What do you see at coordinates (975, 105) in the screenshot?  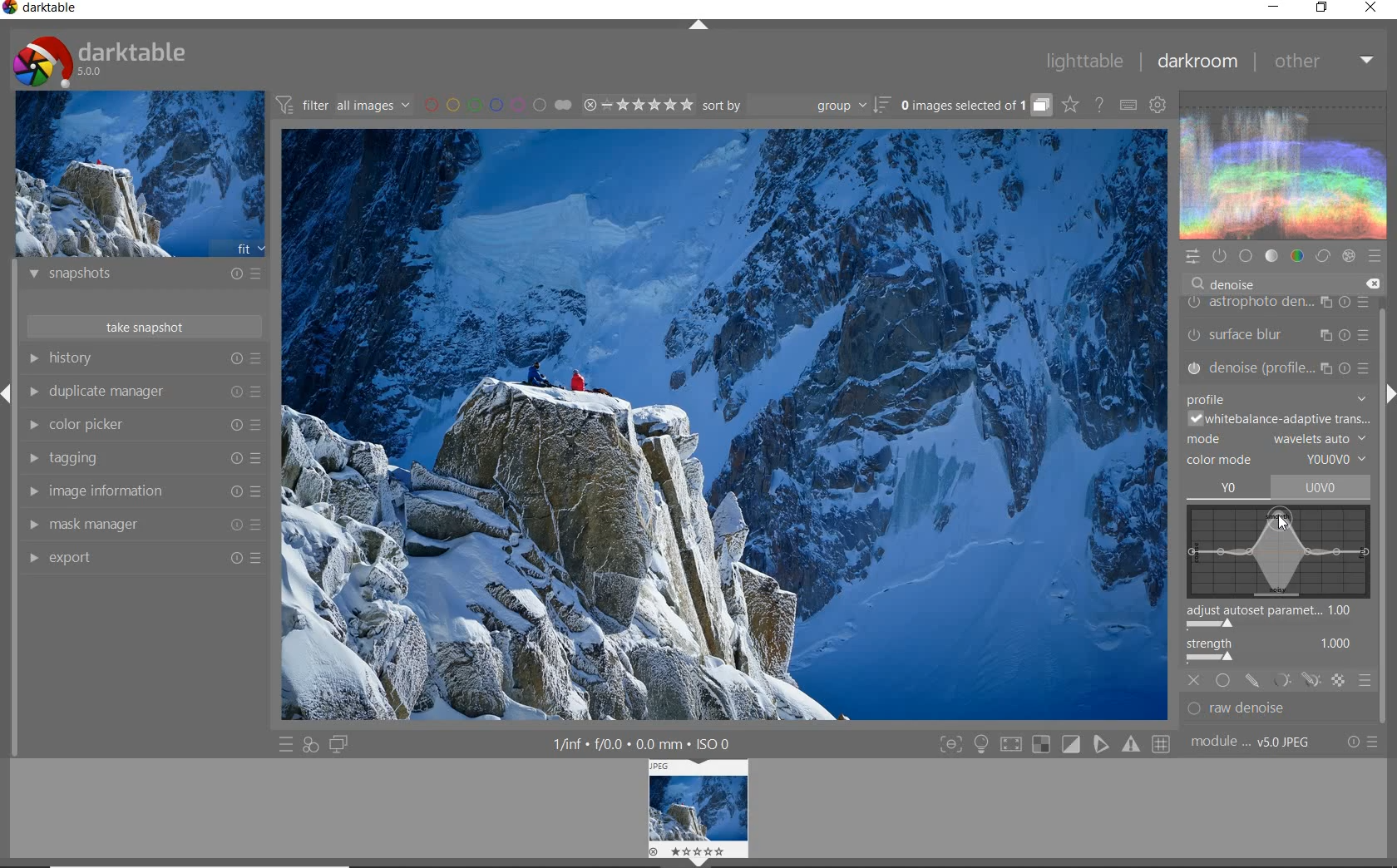 I see `grouped images` at bounding box center [975, 105].